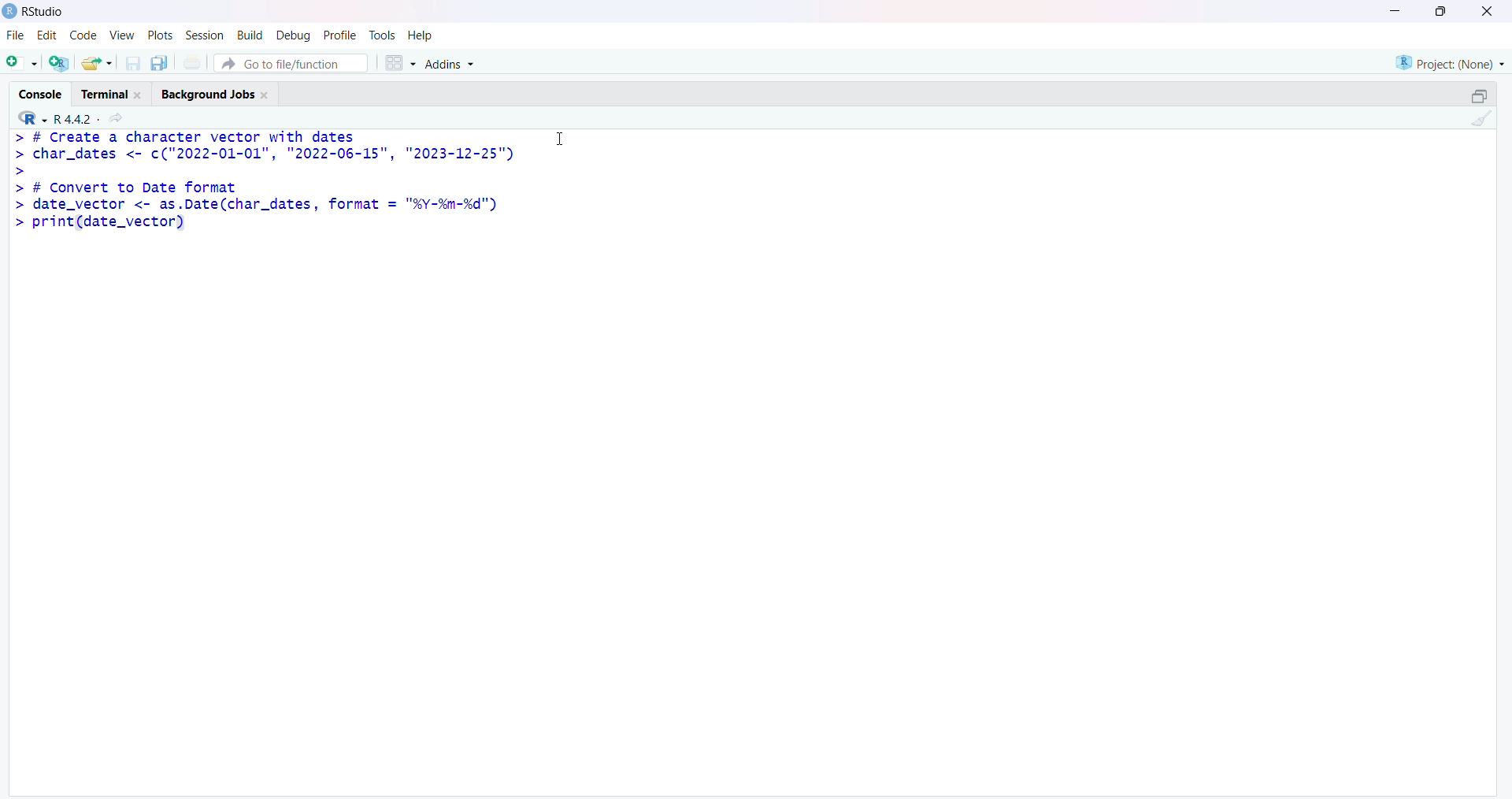 This screenshot has width=1512, height=799. What do you see at coordinates (400, 61) in the screenshot?
I see `Workspace panes` at bounding box center [400, 61].